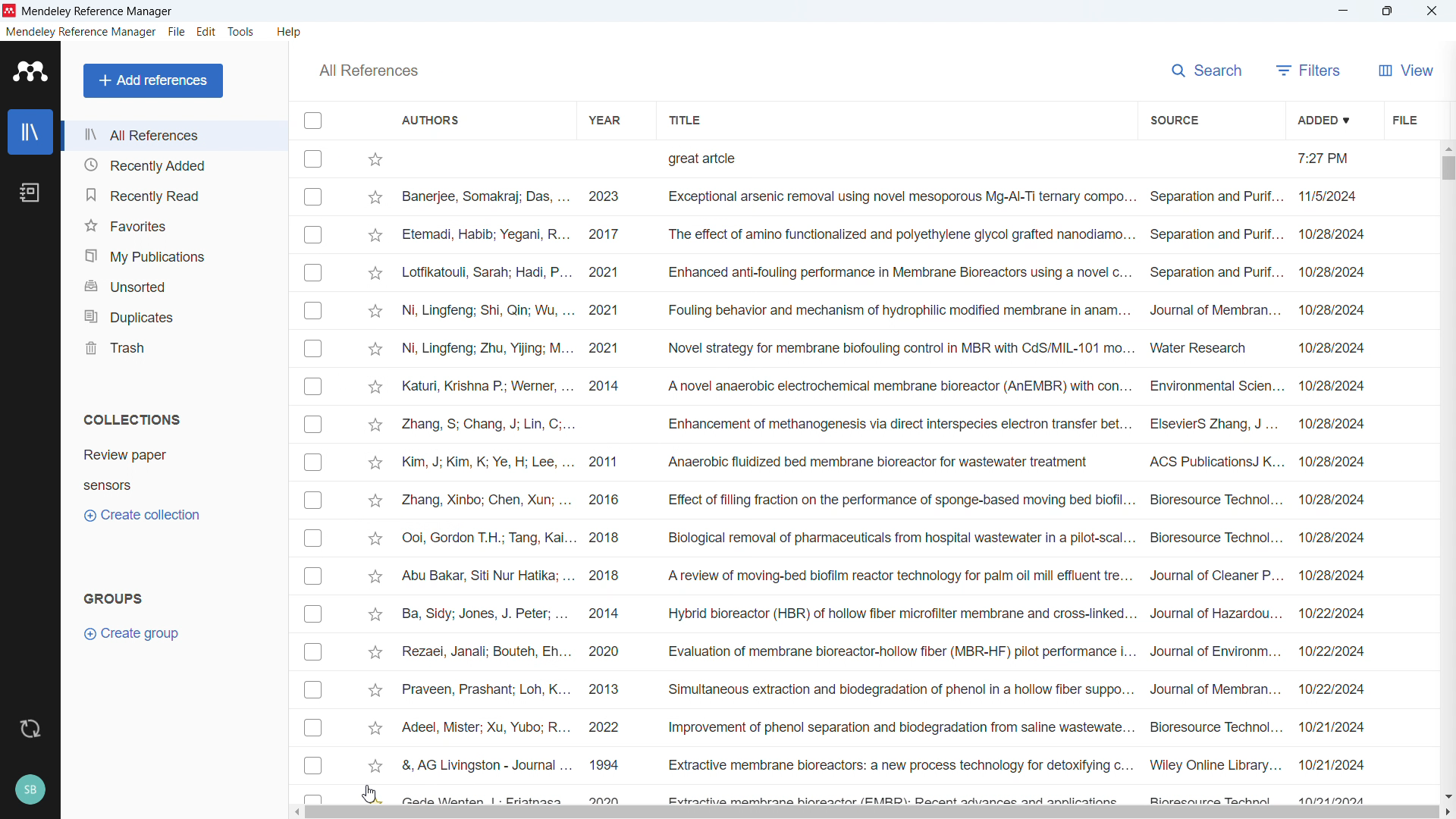 The image size is (1456, 819). Describe the element at coordinates (1447, 813) in the screenshot. I see `Scroll right ` at that location.